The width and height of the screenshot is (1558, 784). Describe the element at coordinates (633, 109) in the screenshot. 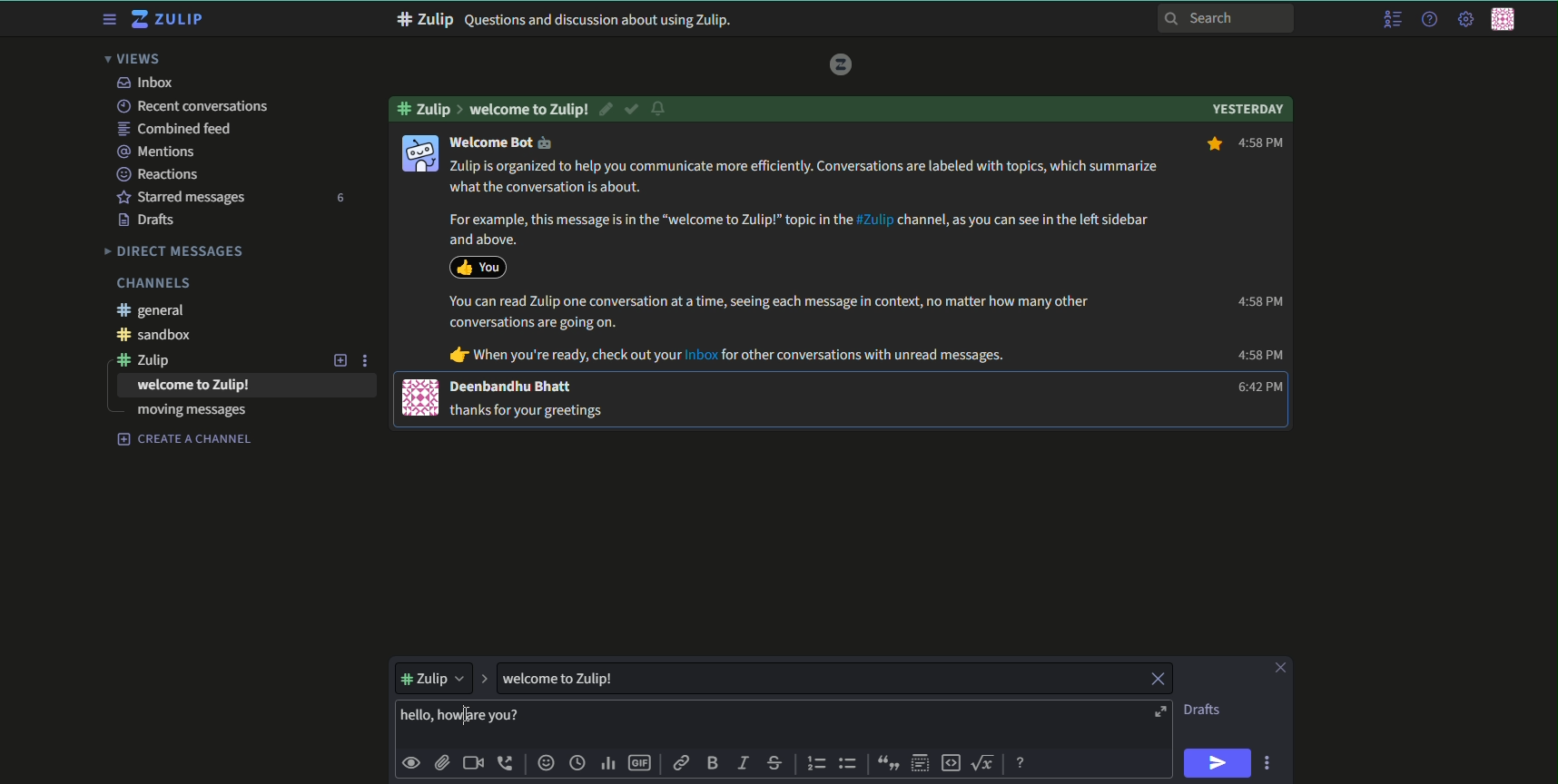

I see `resolved` at that location.